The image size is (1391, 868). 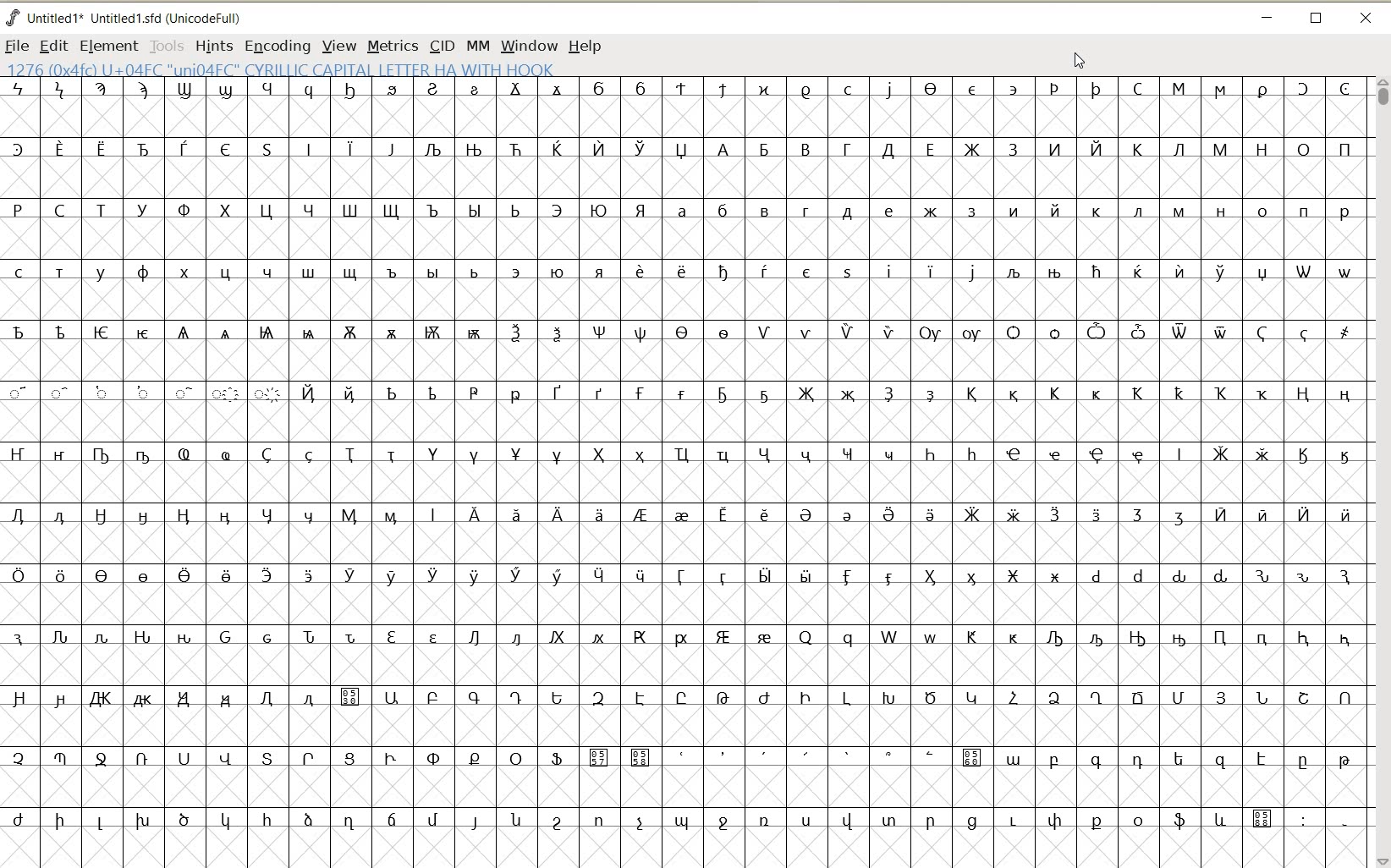 I want to click on HINTS, so click(x=212, y=47).